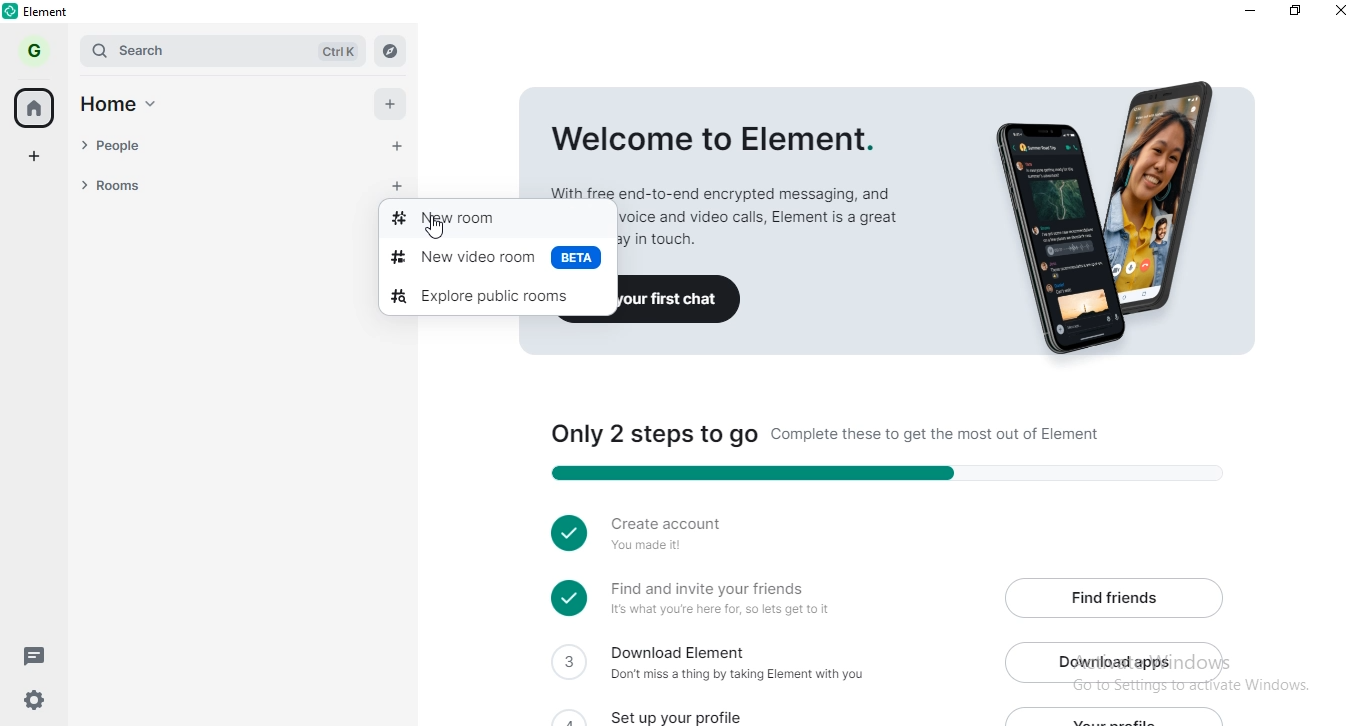  I want to click on explore public rooms, so click(498, 297).